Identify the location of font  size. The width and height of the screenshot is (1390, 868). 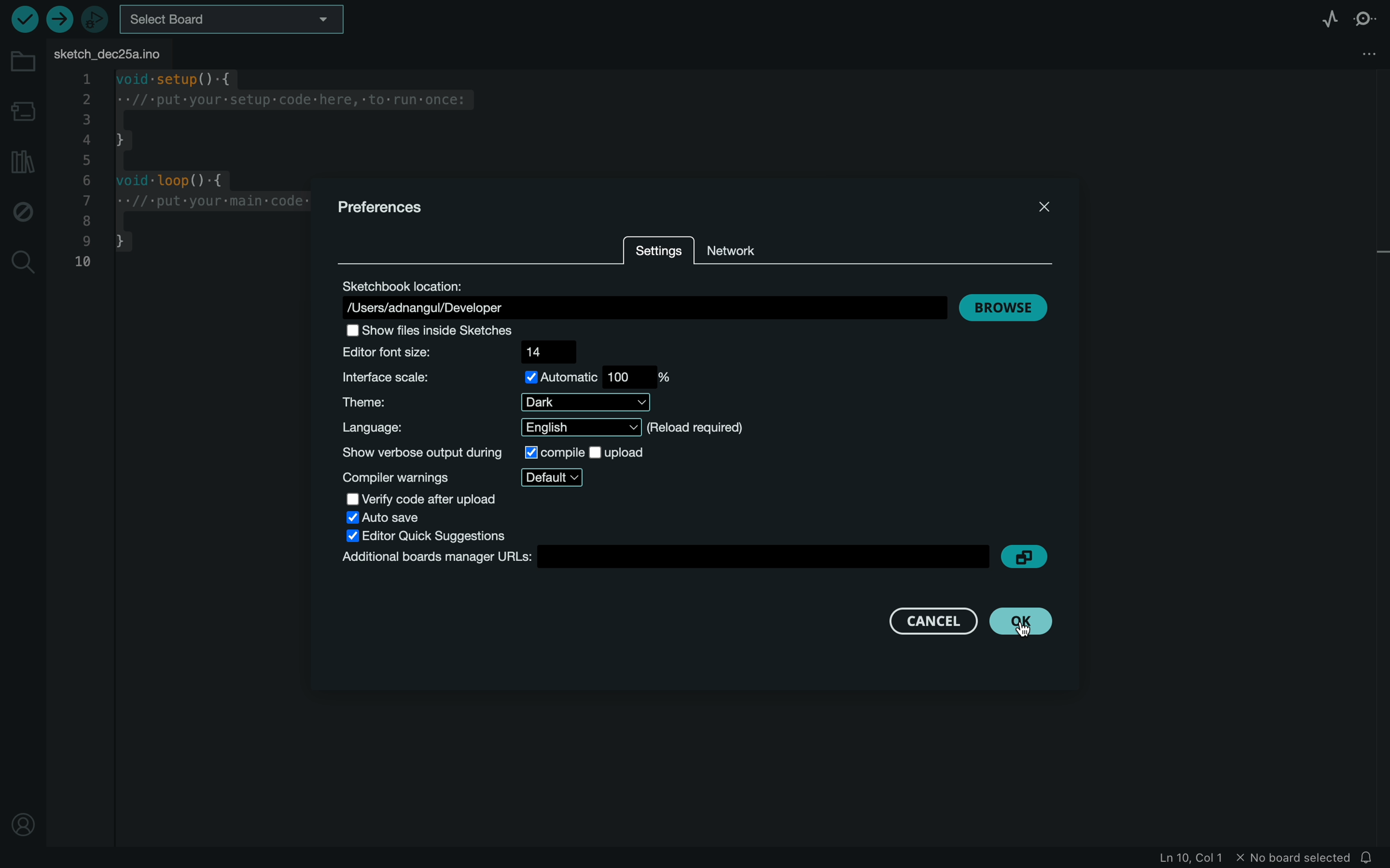
(469, 352).